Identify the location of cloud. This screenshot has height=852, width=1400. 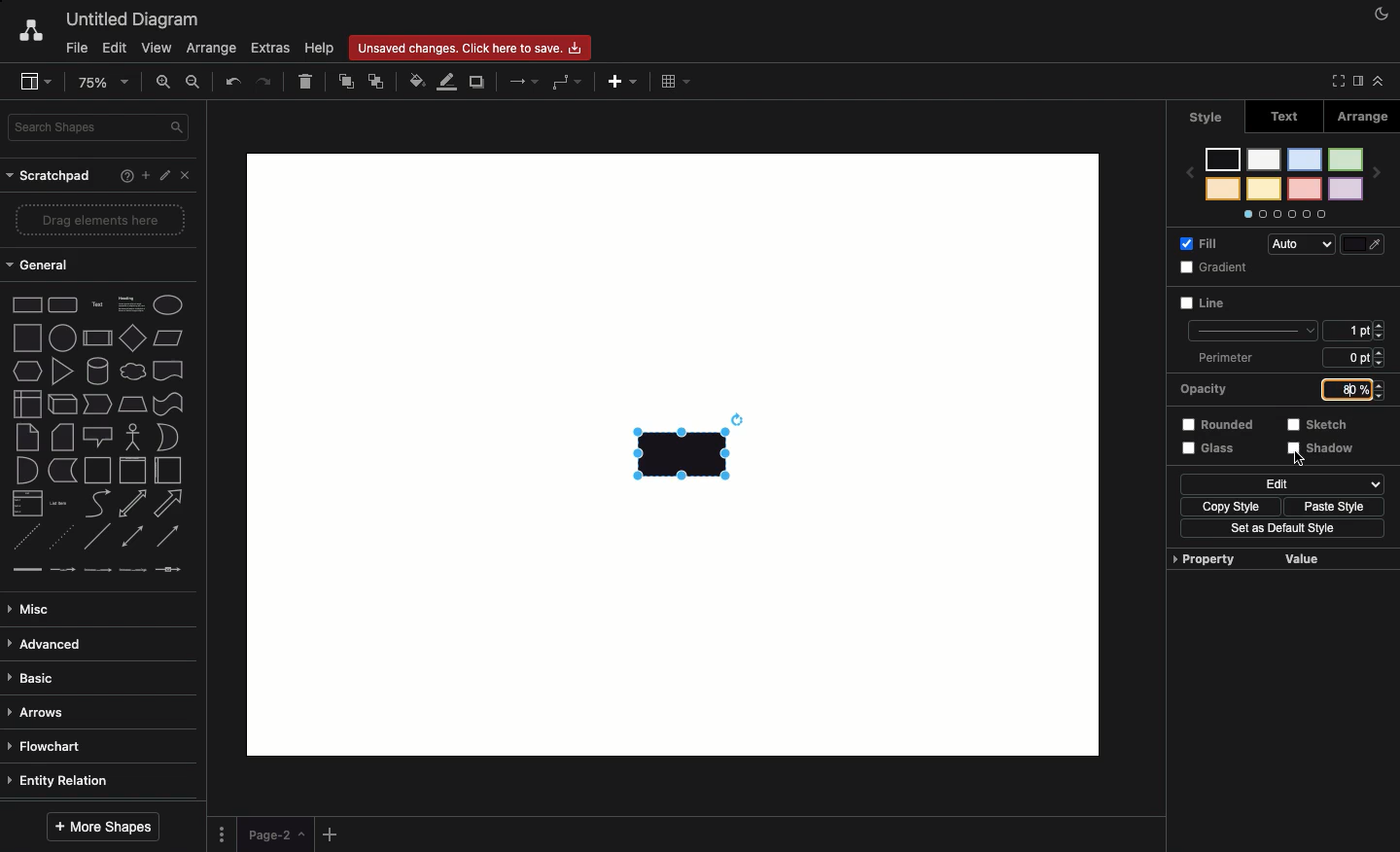
(130, 373).